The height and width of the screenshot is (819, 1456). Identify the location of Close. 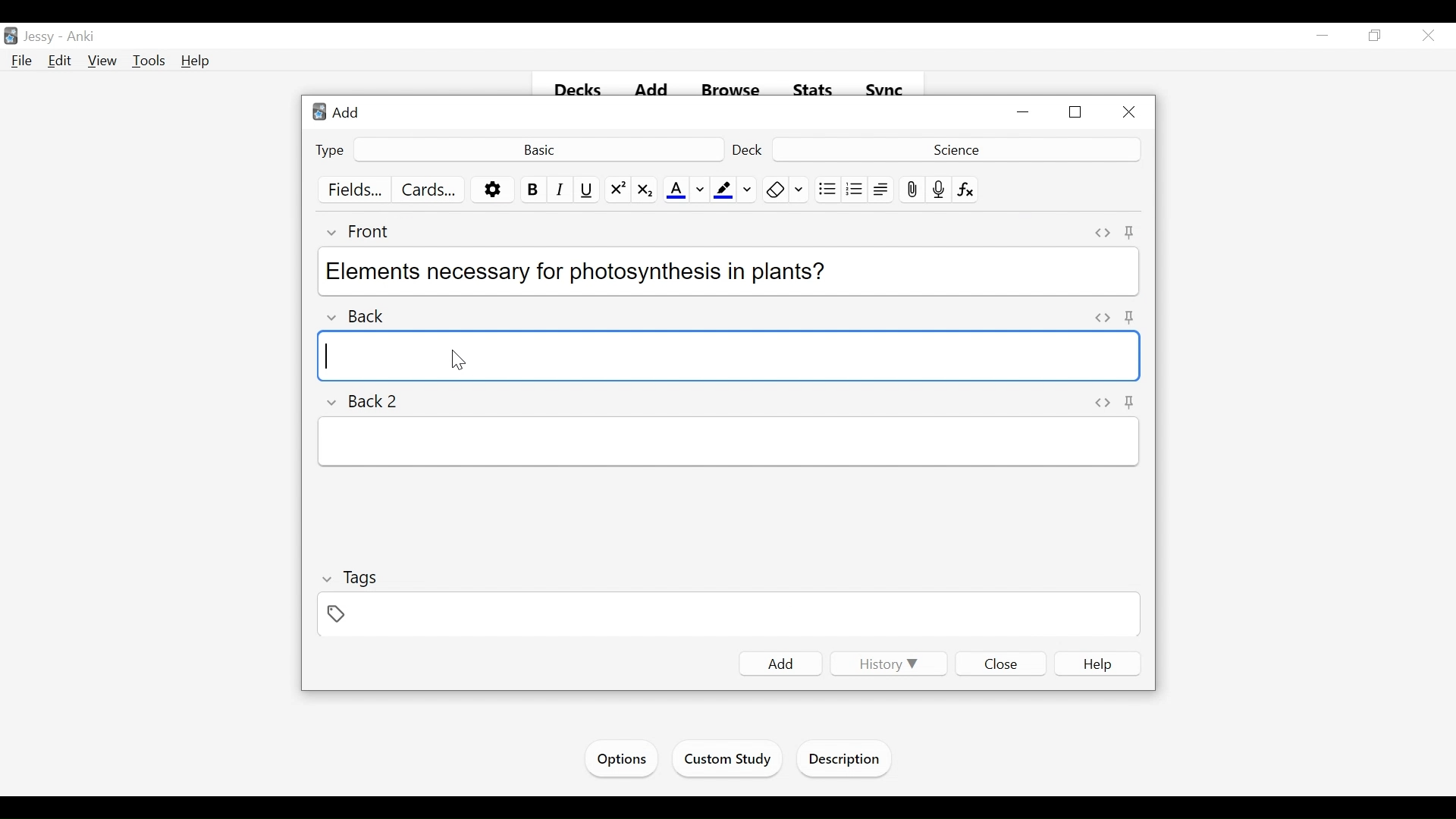
(1002, 663).